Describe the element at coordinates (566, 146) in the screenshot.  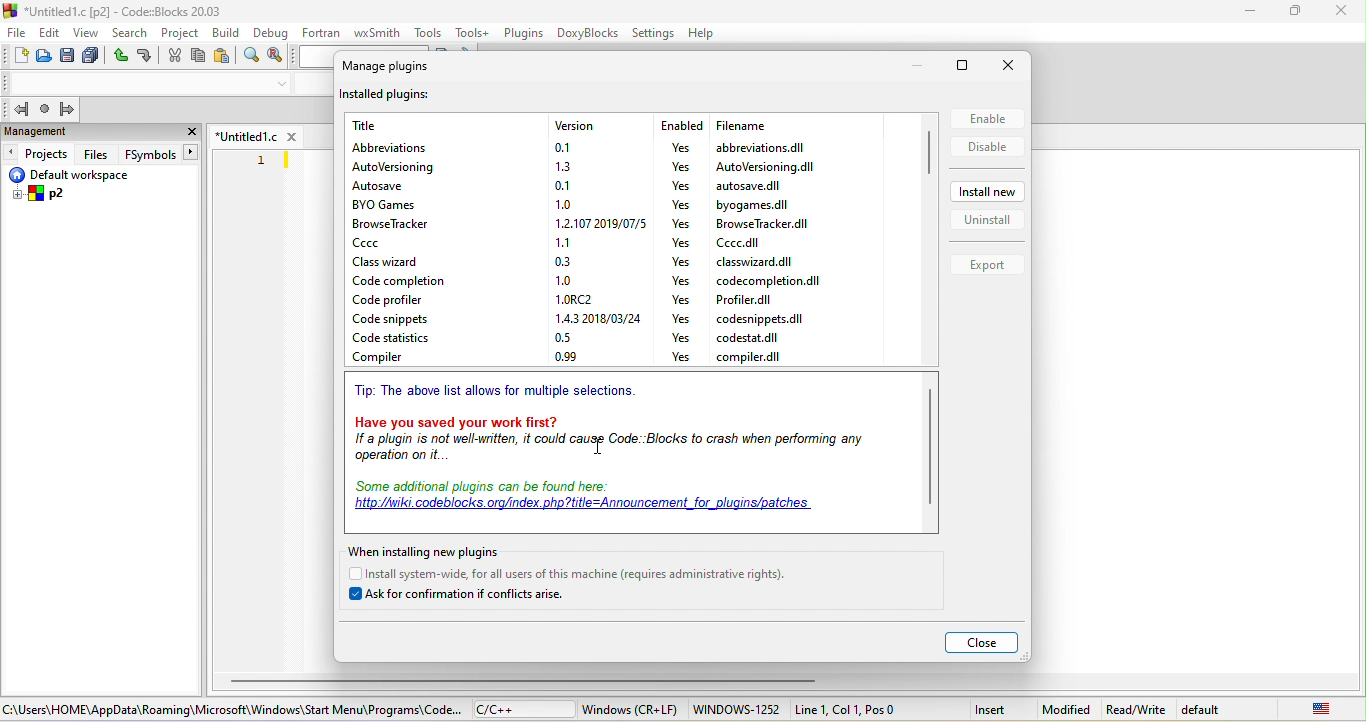
I see `0.1` at that location.